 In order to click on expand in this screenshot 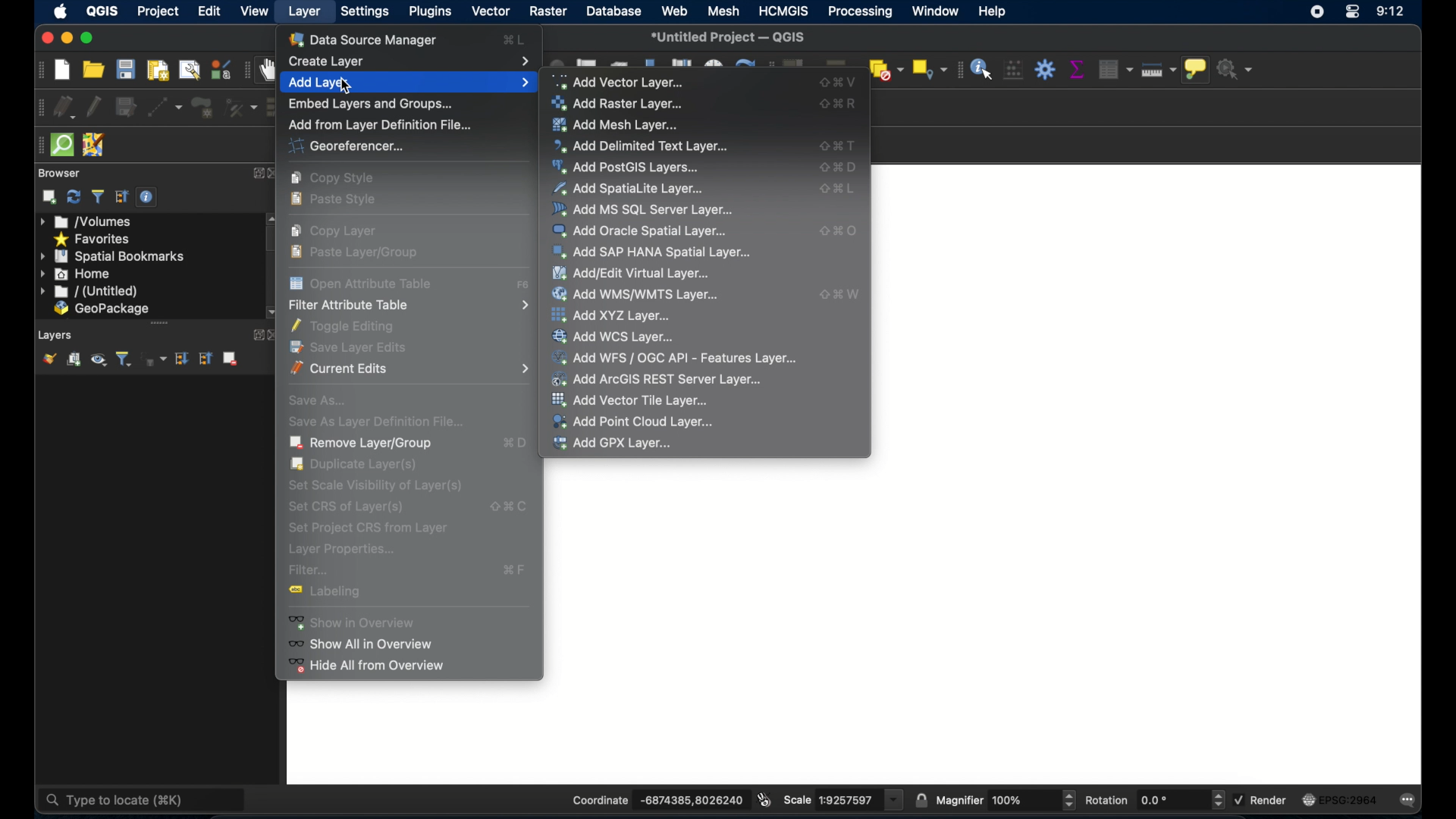, I will do `click(256, 173)`.